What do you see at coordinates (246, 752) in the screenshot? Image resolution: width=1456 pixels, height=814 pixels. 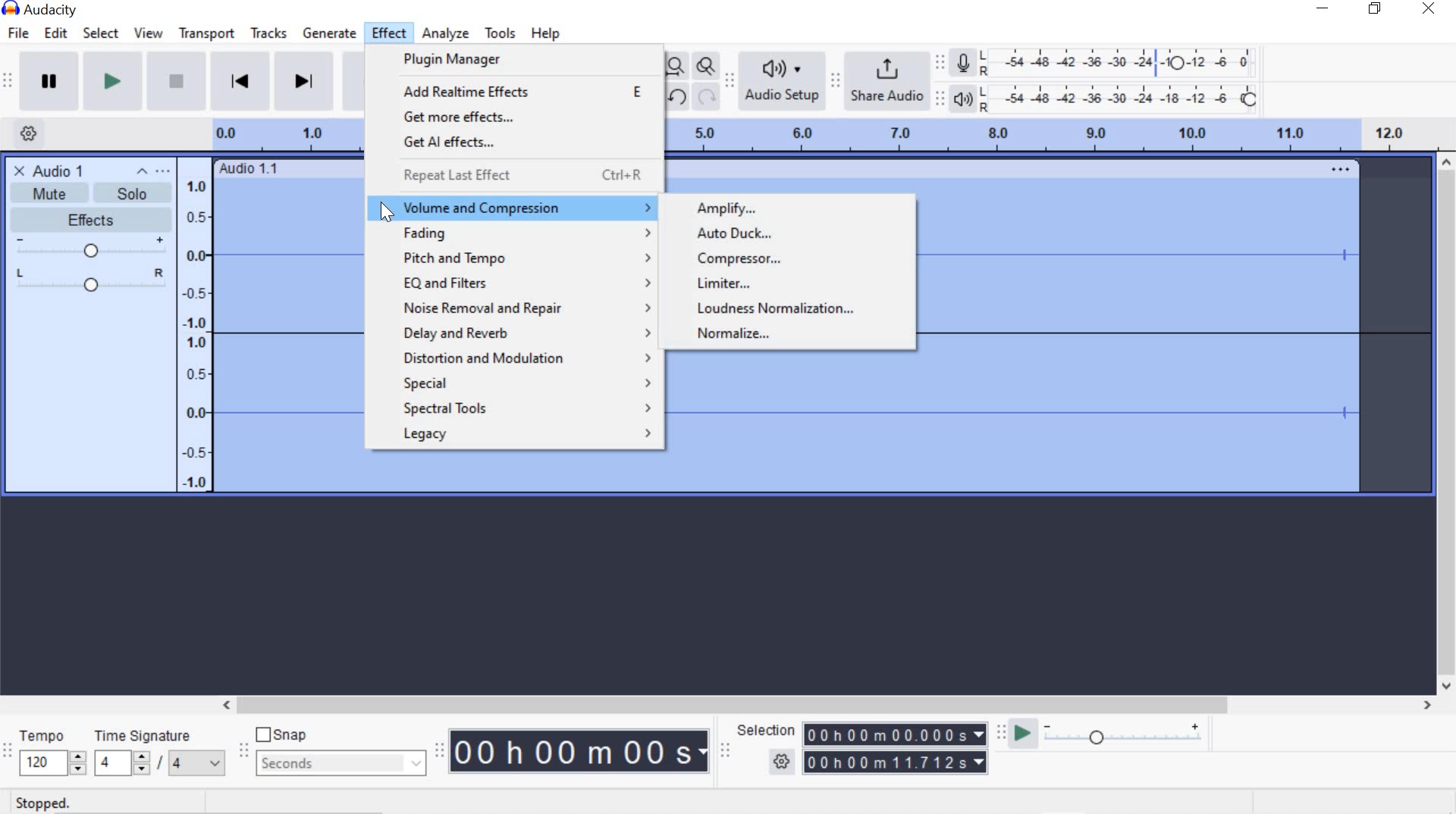 I see `Snapping Toolbar` at bounding box center [246, 752].